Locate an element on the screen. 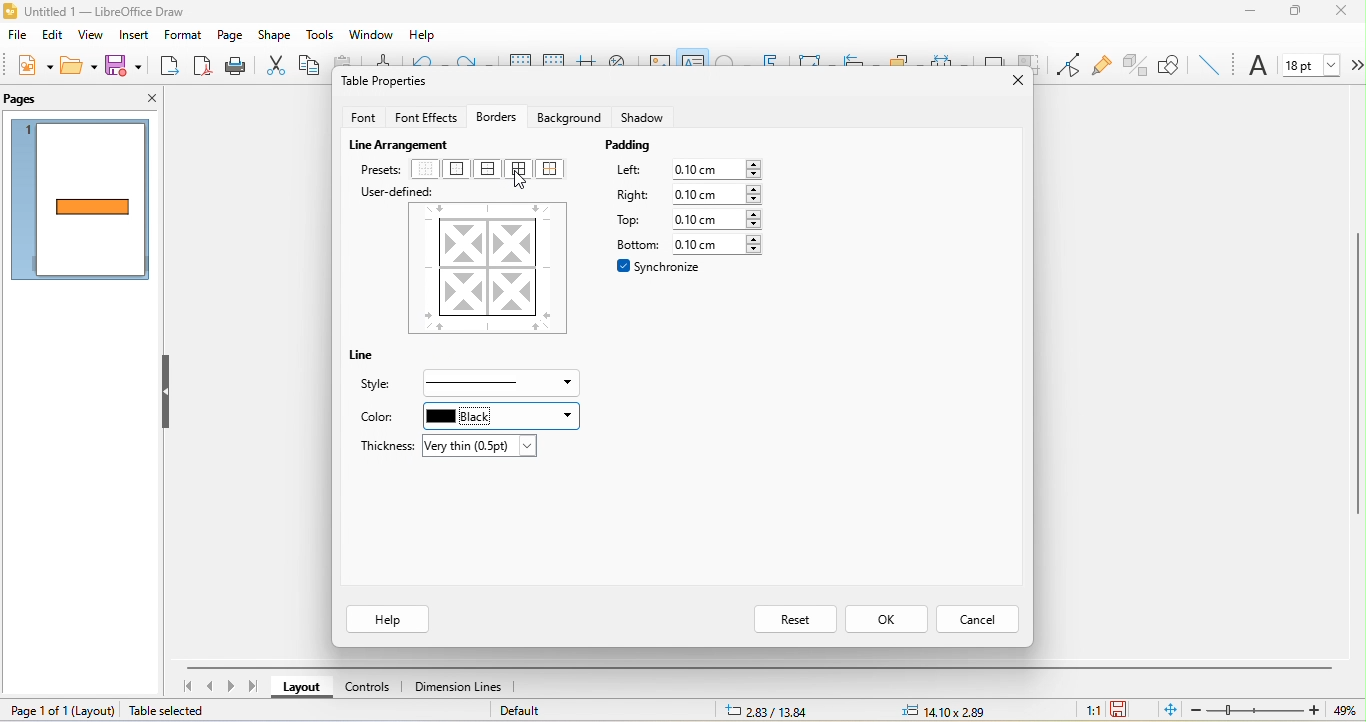 The image size is (1366, 722). default is located at coordinates (542, 710).